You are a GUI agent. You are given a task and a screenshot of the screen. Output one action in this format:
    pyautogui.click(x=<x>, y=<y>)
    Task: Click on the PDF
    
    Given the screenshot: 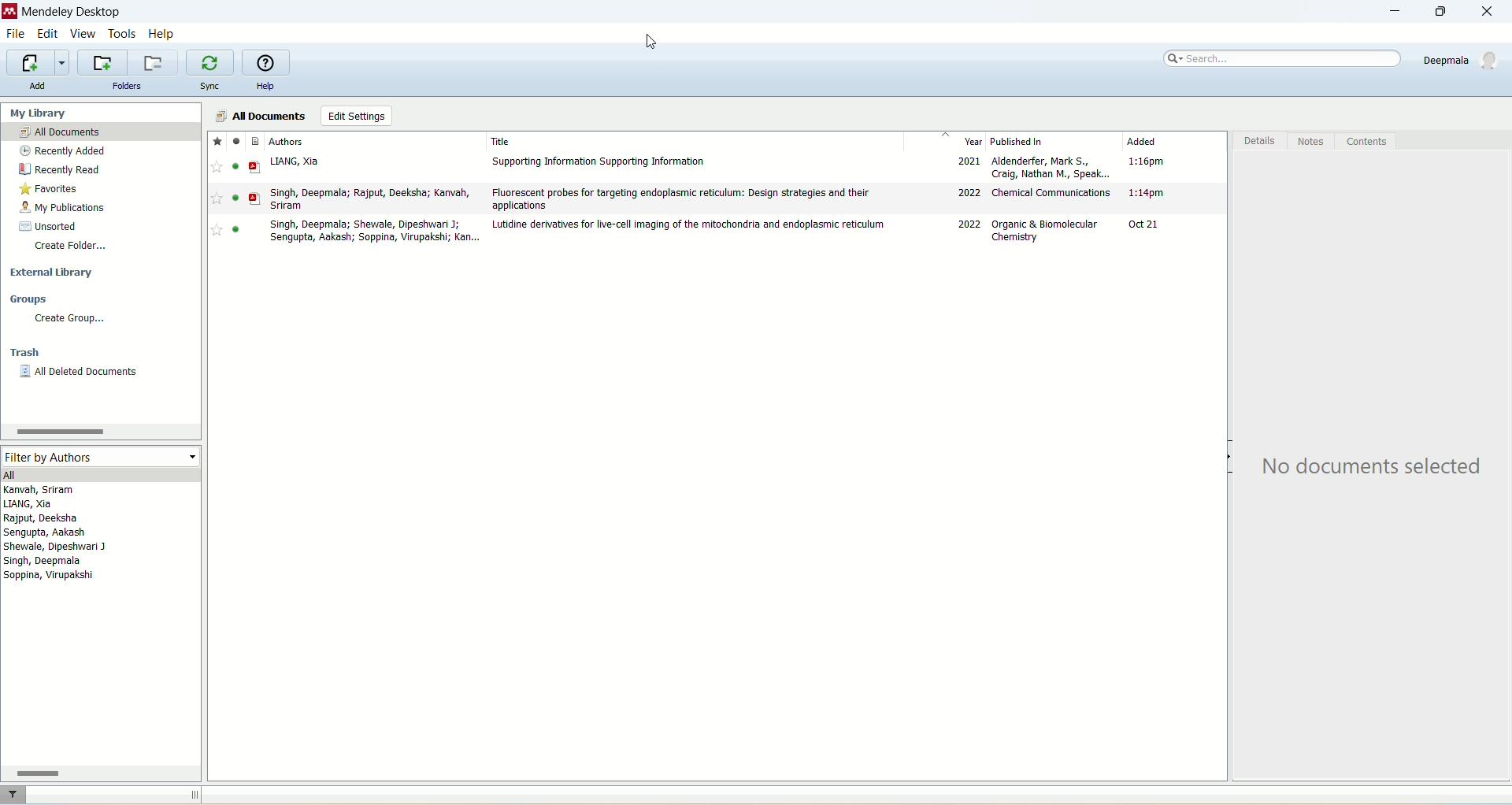 What is the action you would take?
    pyautogui.click(x=253, y=228)
    